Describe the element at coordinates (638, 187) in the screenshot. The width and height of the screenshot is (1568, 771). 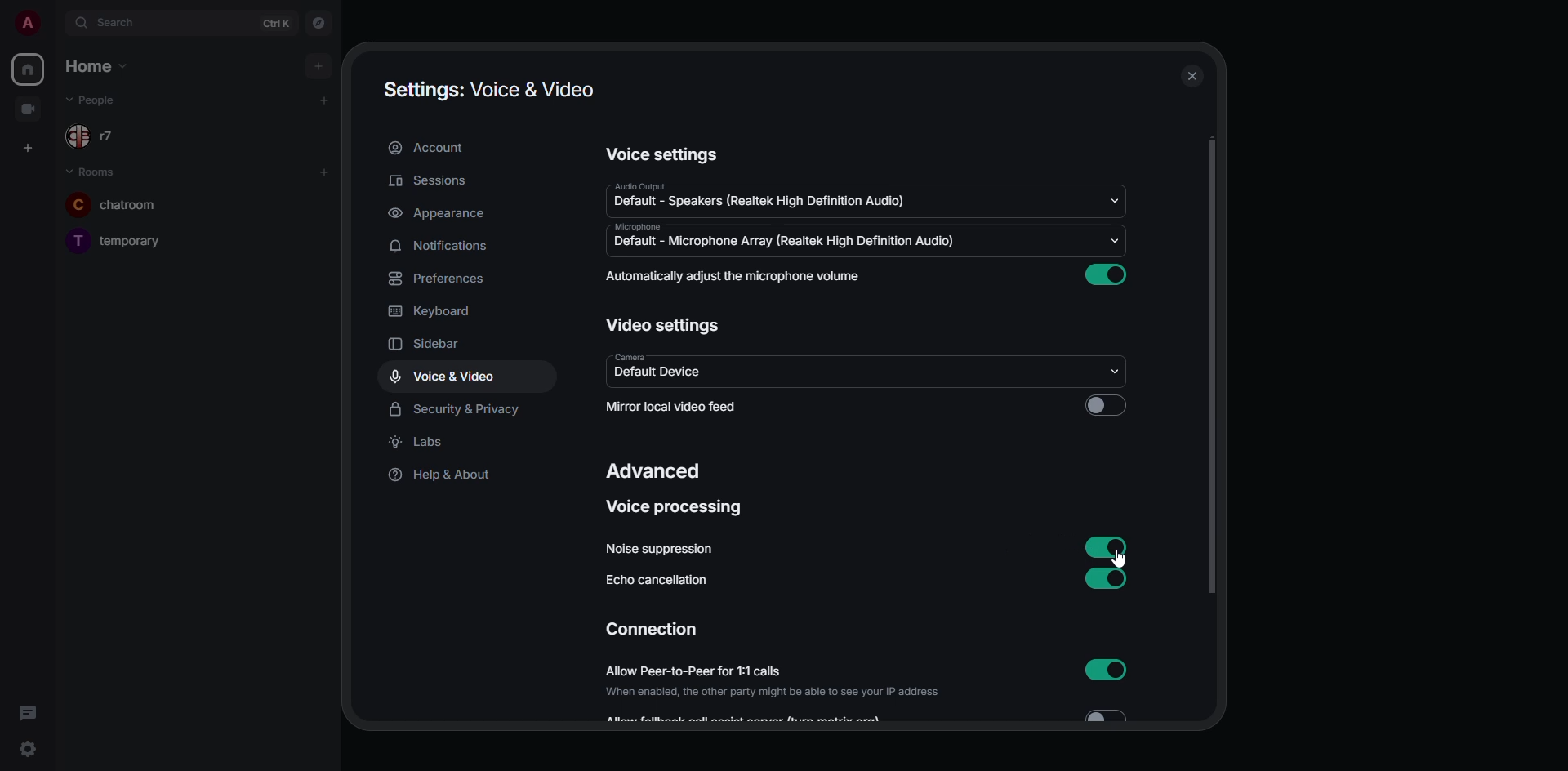
I see `audio output` at that location.